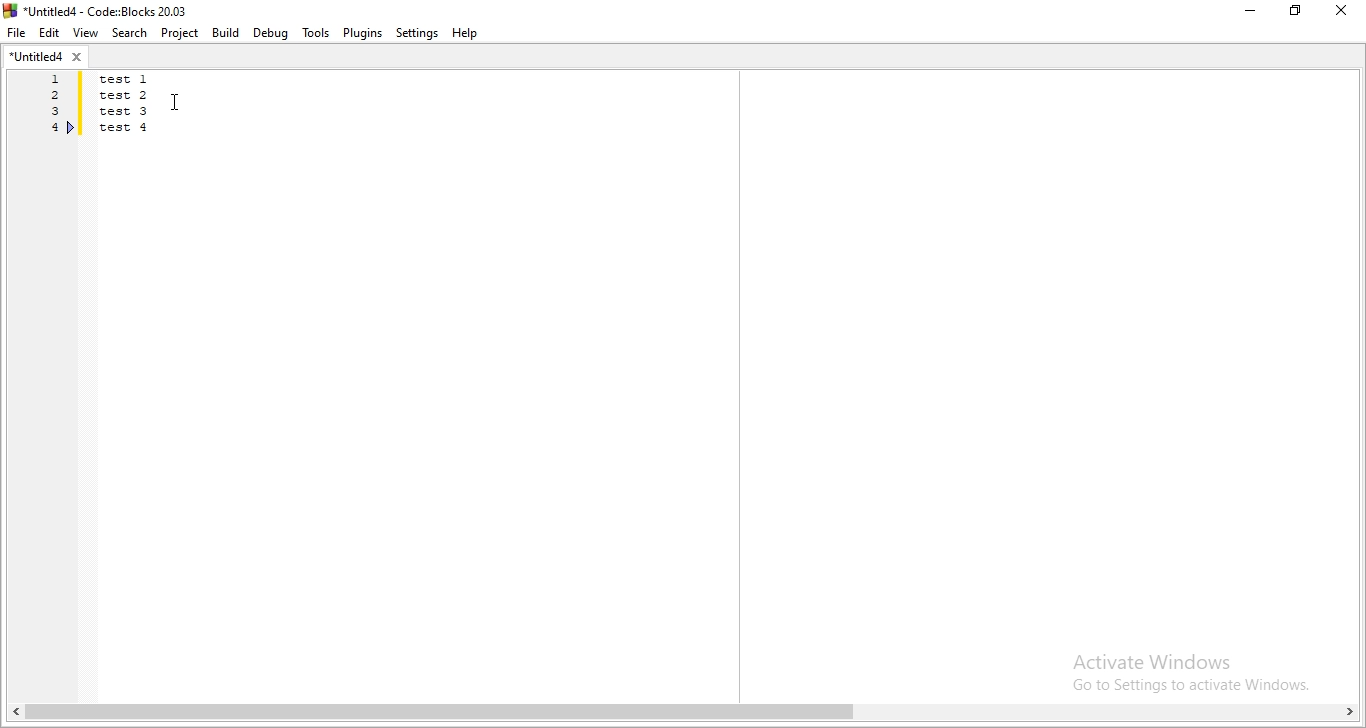  I want to click on View , so click(83, 33).